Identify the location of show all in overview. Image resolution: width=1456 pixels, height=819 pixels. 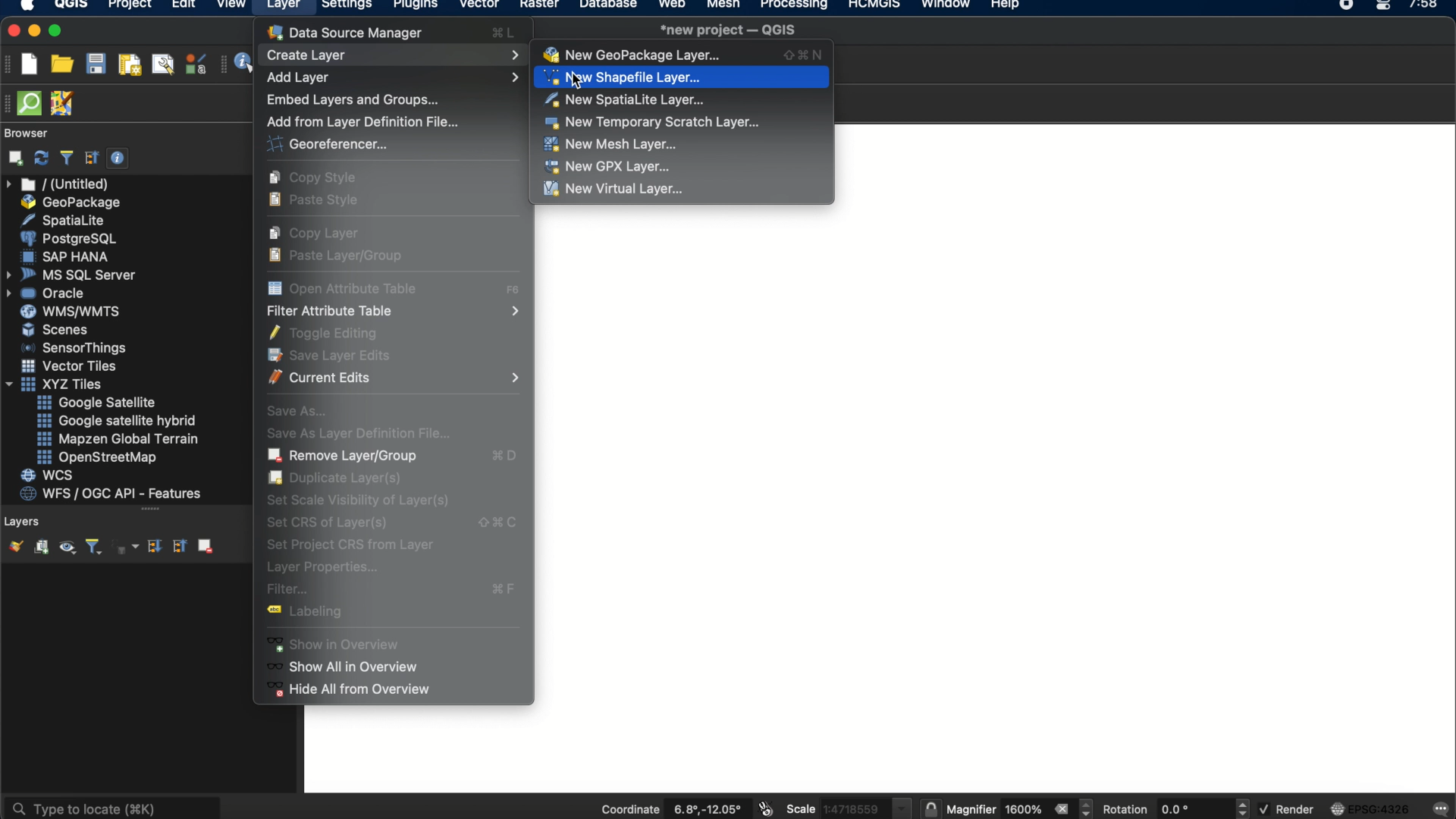
(348, 666).